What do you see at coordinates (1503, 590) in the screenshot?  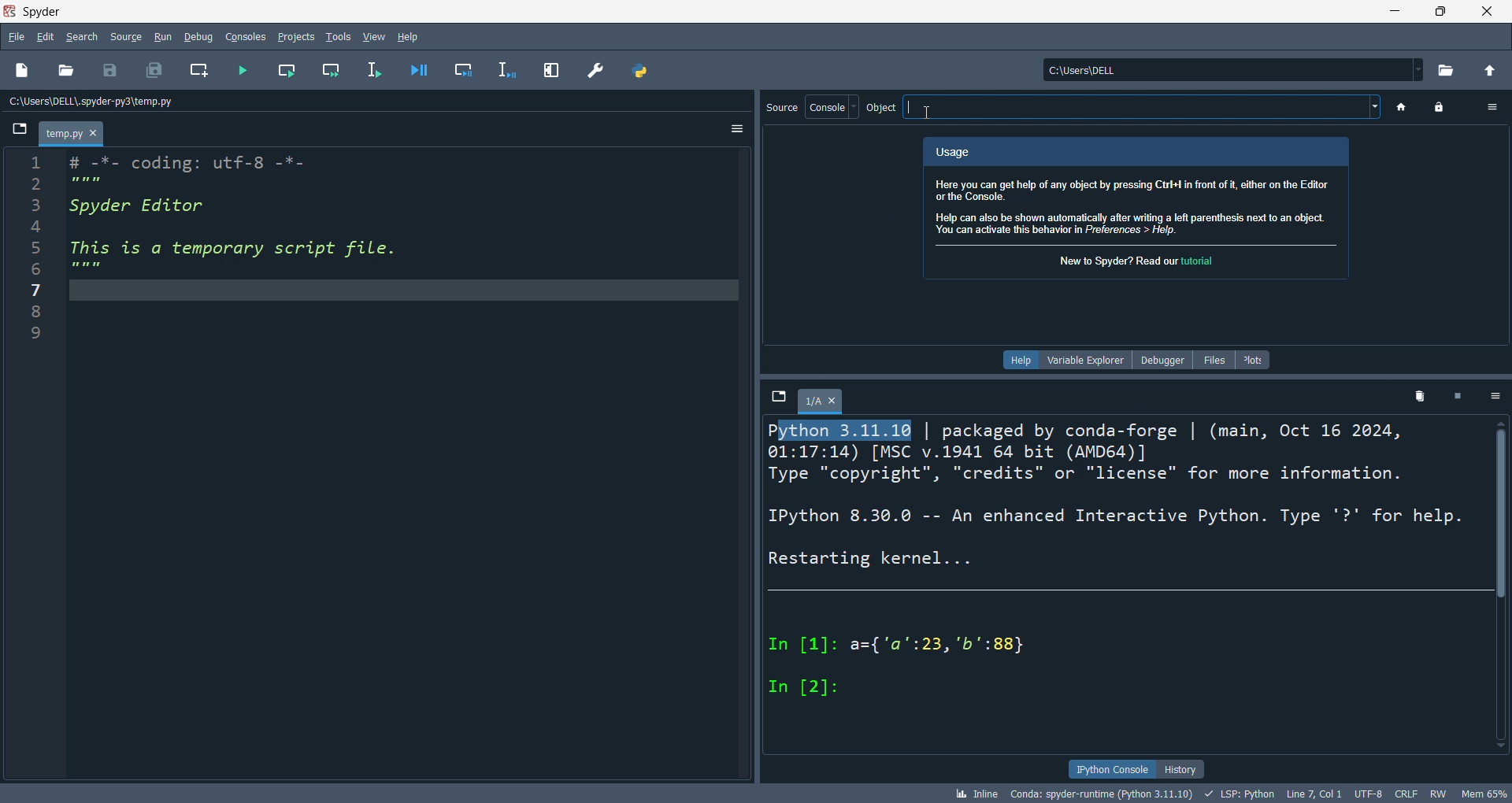 I see `scroll bar` at bounding box center [1503, 590].